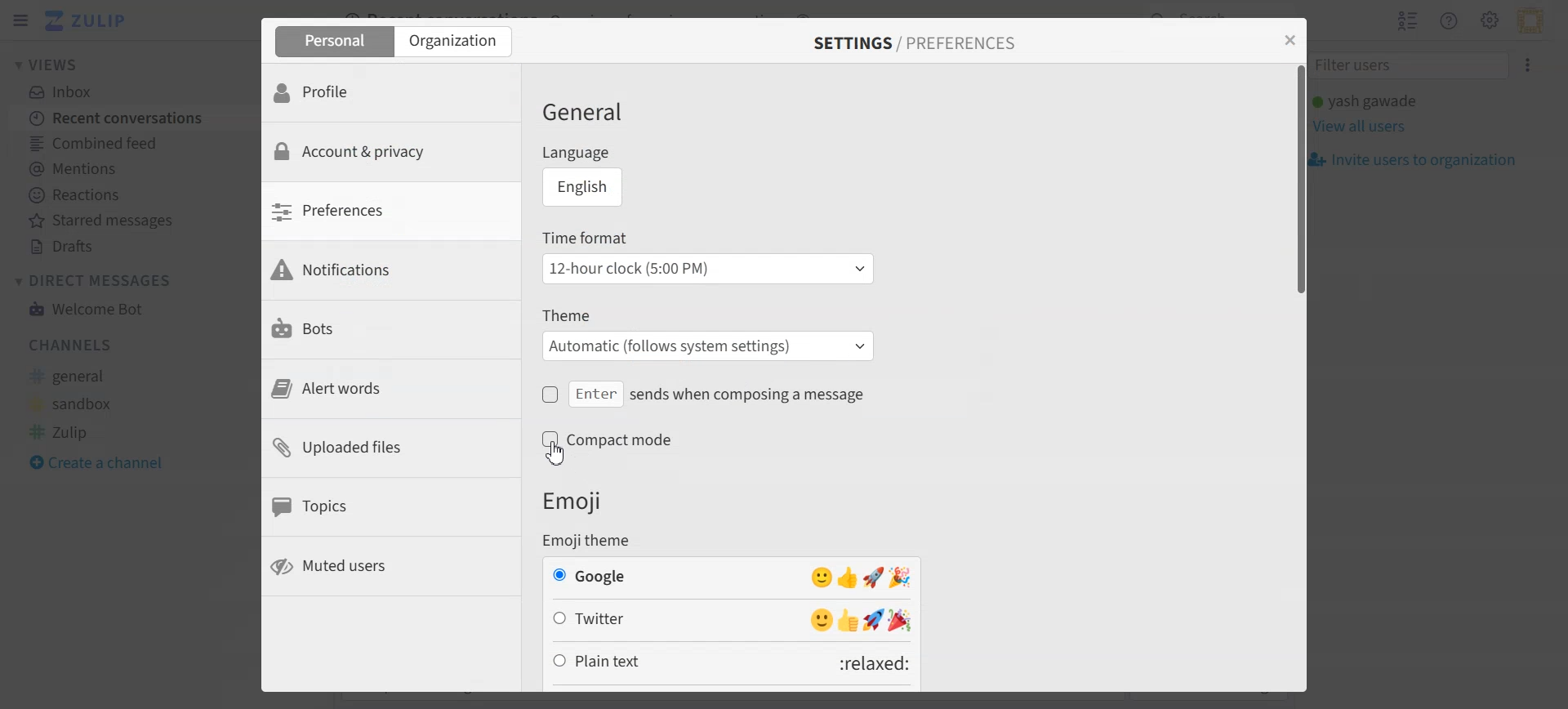 The width and height of the screenshot is (1568, 709). What do you see at coordinates (390, 506) in the screenshot?
I see `Topics` at bounding box center [390, 506].